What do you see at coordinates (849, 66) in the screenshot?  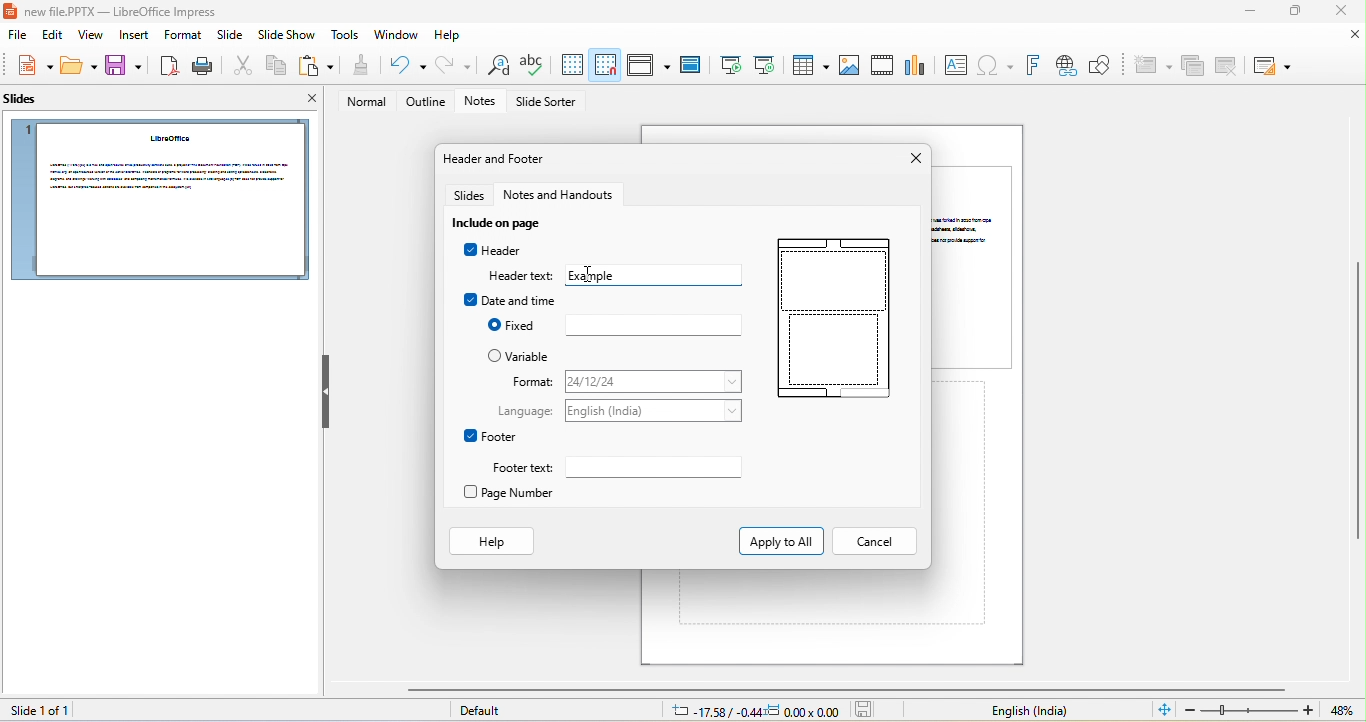 I see `image` at bounding box center [849, 66].